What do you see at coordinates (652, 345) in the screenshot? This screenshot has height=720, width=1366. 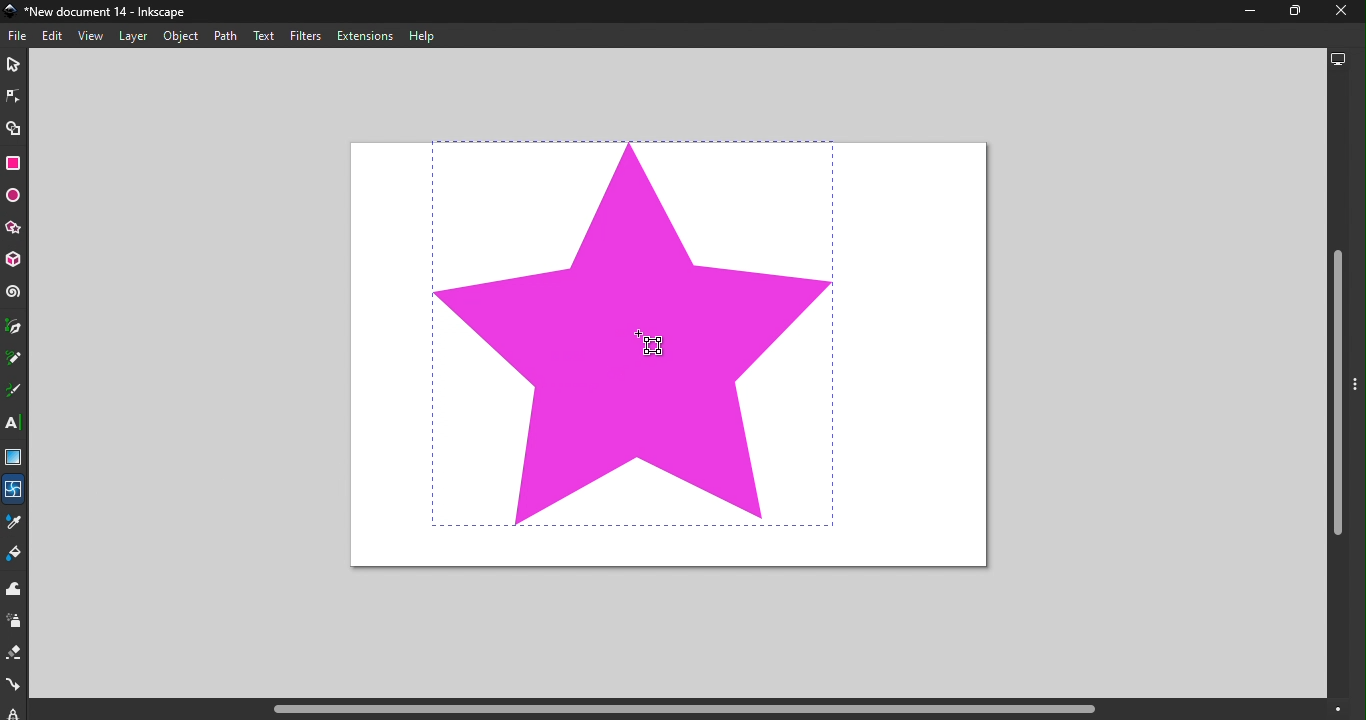 I see `Cursor` at bounding box center [652, 345].